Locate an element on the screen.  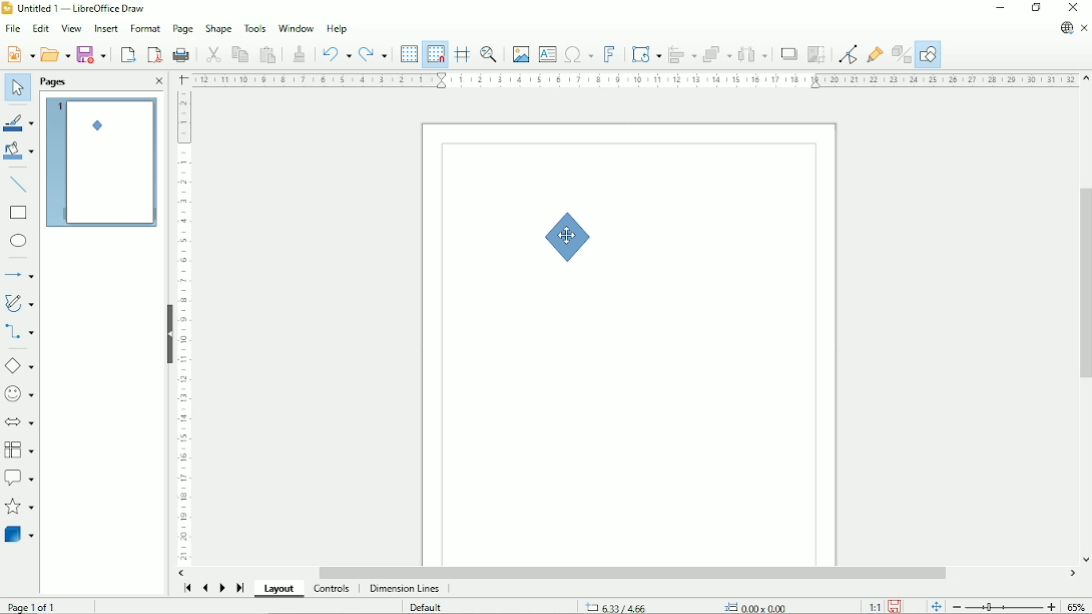
Show draw functions is located at coordinates (929, 54).